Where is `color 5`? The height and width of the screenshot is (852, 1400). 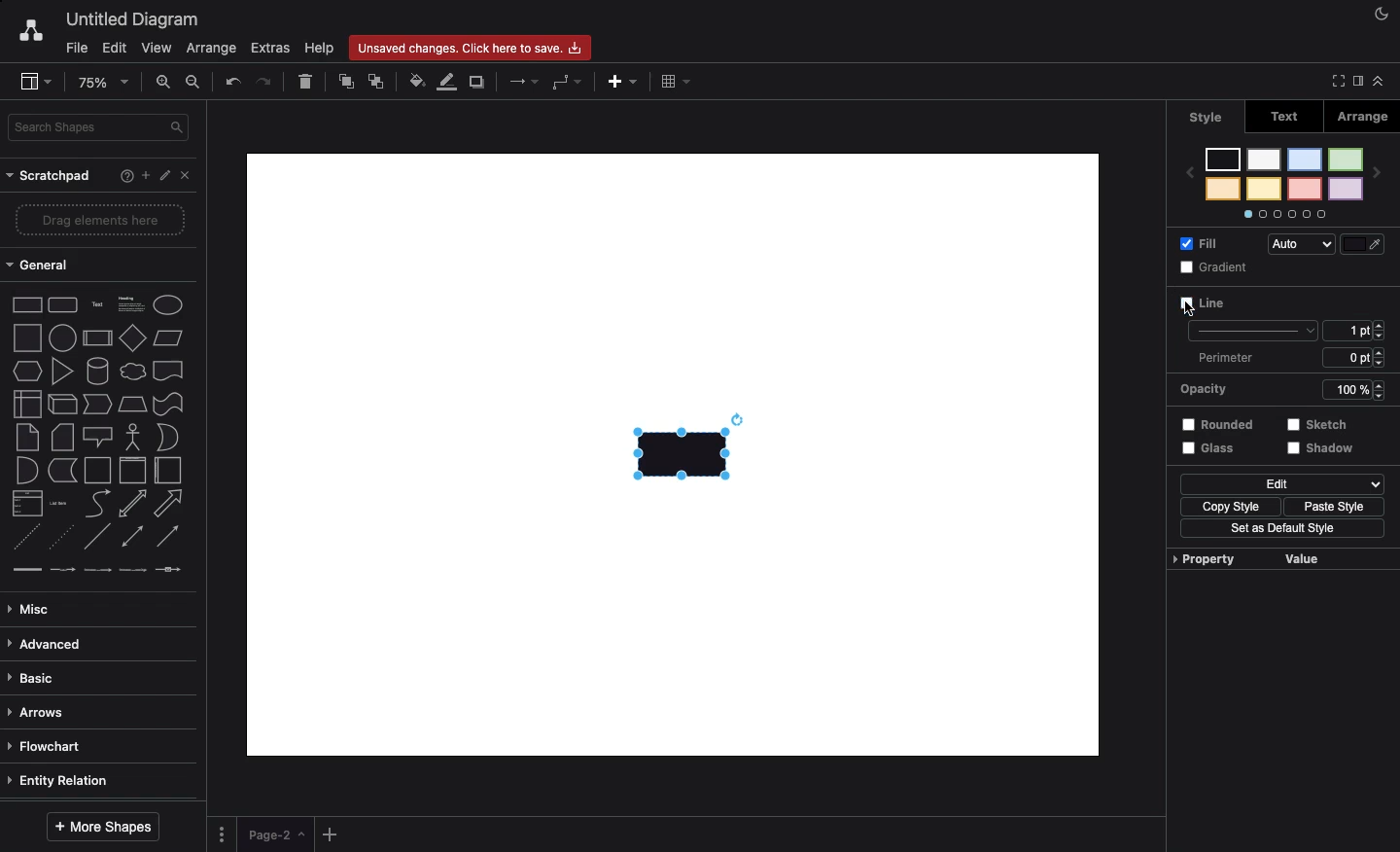
color 5 is located at coordinates (1264, 160).